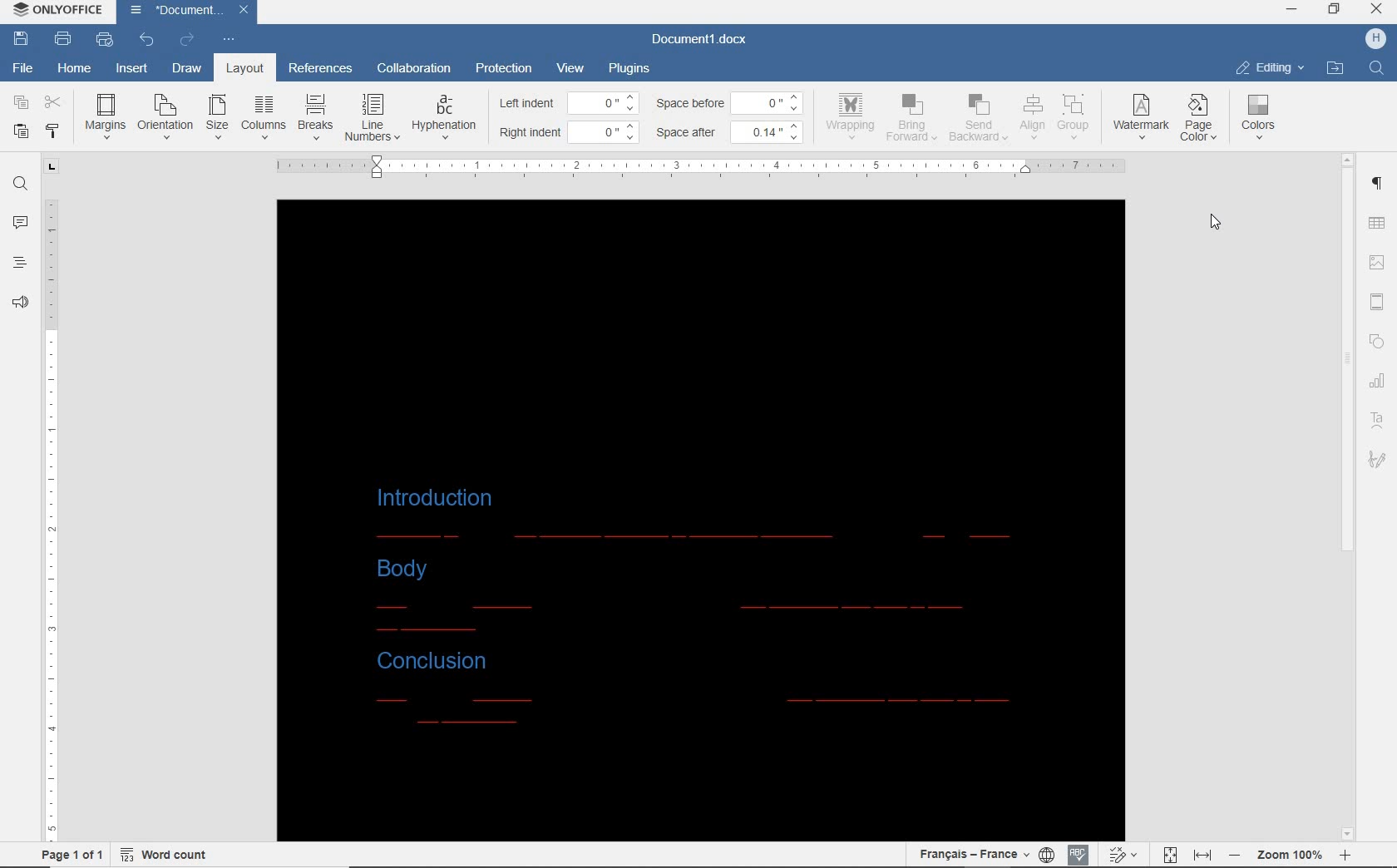 The height and width of the screenshot is (868, 1397). Describe the element at coordinates (1142, 116) in the screenshot. I see `watermark` at that location.